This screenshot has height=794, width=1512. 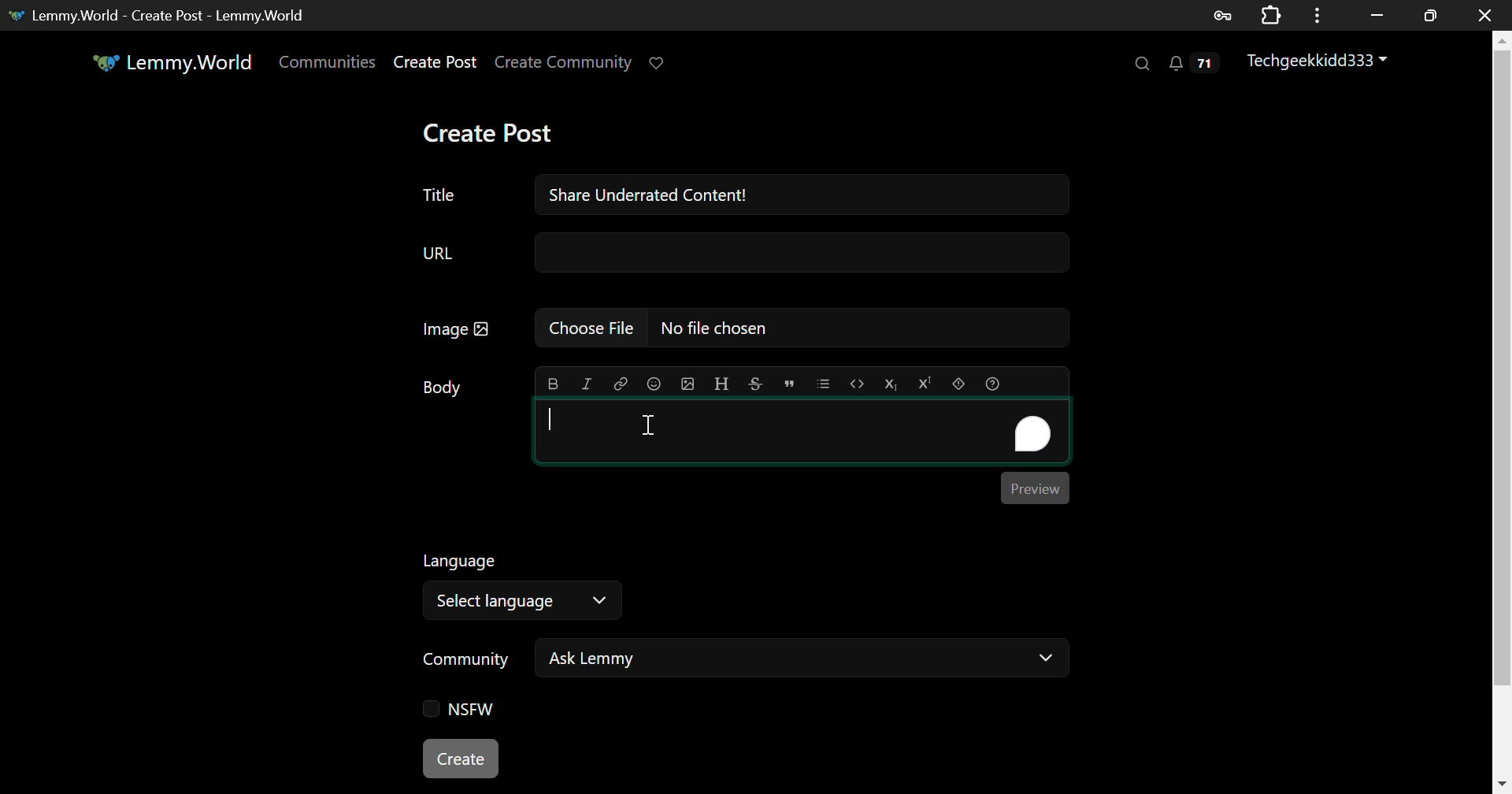 I want to click on Create Post, so click(x=461, y=756).